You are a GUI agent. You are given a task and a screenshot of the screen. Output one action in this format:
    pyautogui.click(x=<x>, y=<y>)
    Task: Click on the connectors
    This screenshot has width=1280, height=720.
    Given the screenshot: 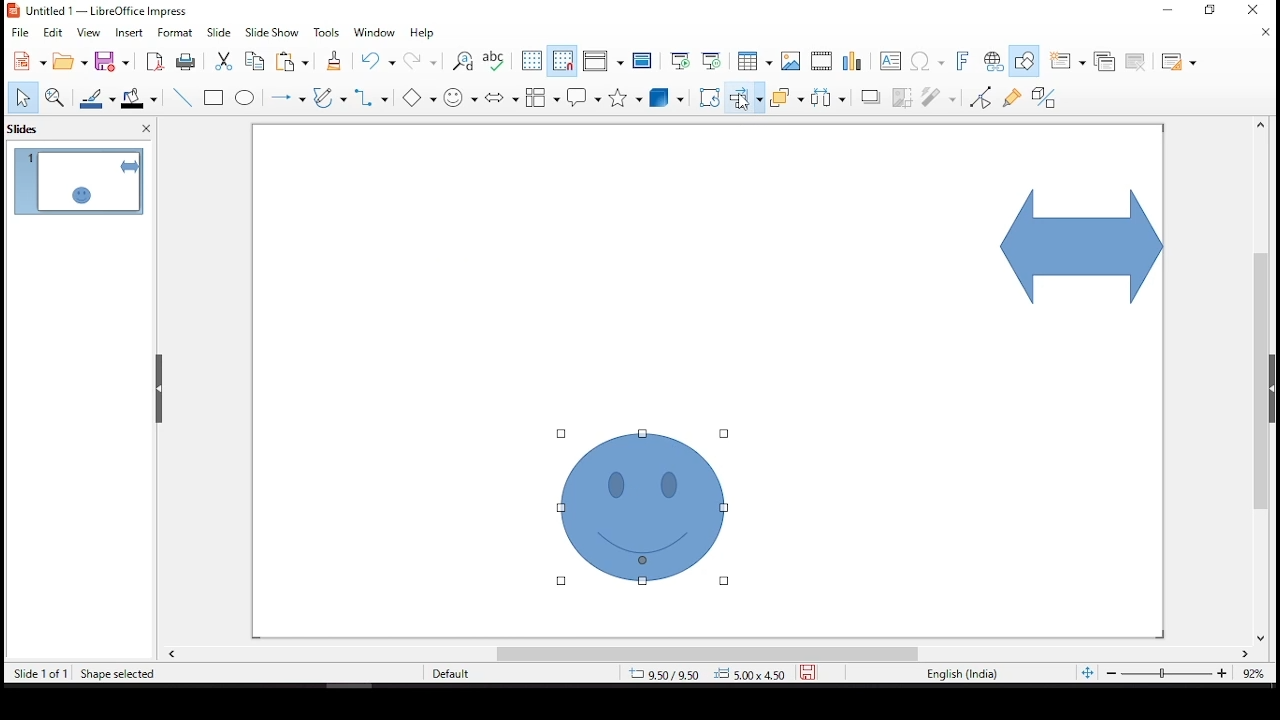 What is the action you would take?
    pyautogui.click(x=371, y=99)
    